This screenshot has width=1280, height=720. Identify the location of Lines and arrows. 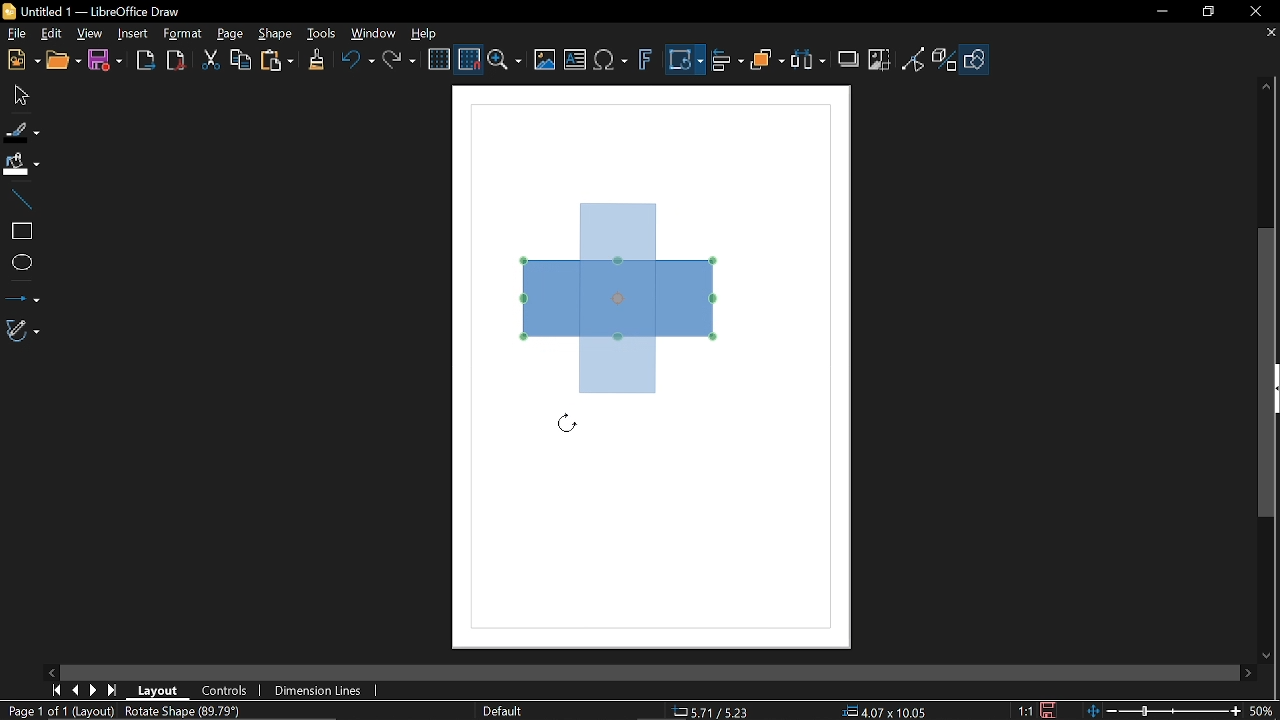
(21, 296).